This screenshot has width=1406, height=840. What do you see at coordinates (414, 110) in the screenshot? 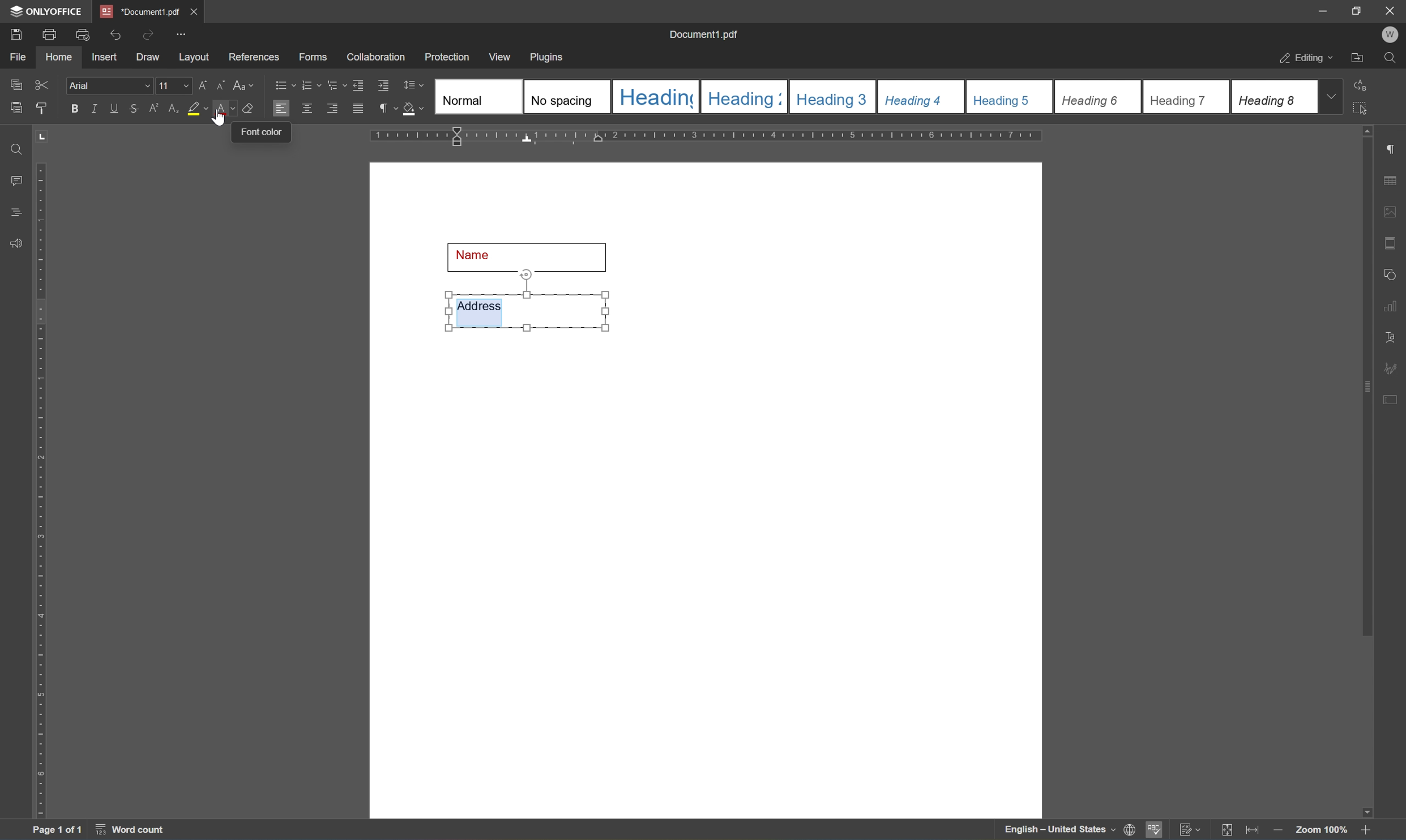
I see `shading` at bounding box center [414, 110].